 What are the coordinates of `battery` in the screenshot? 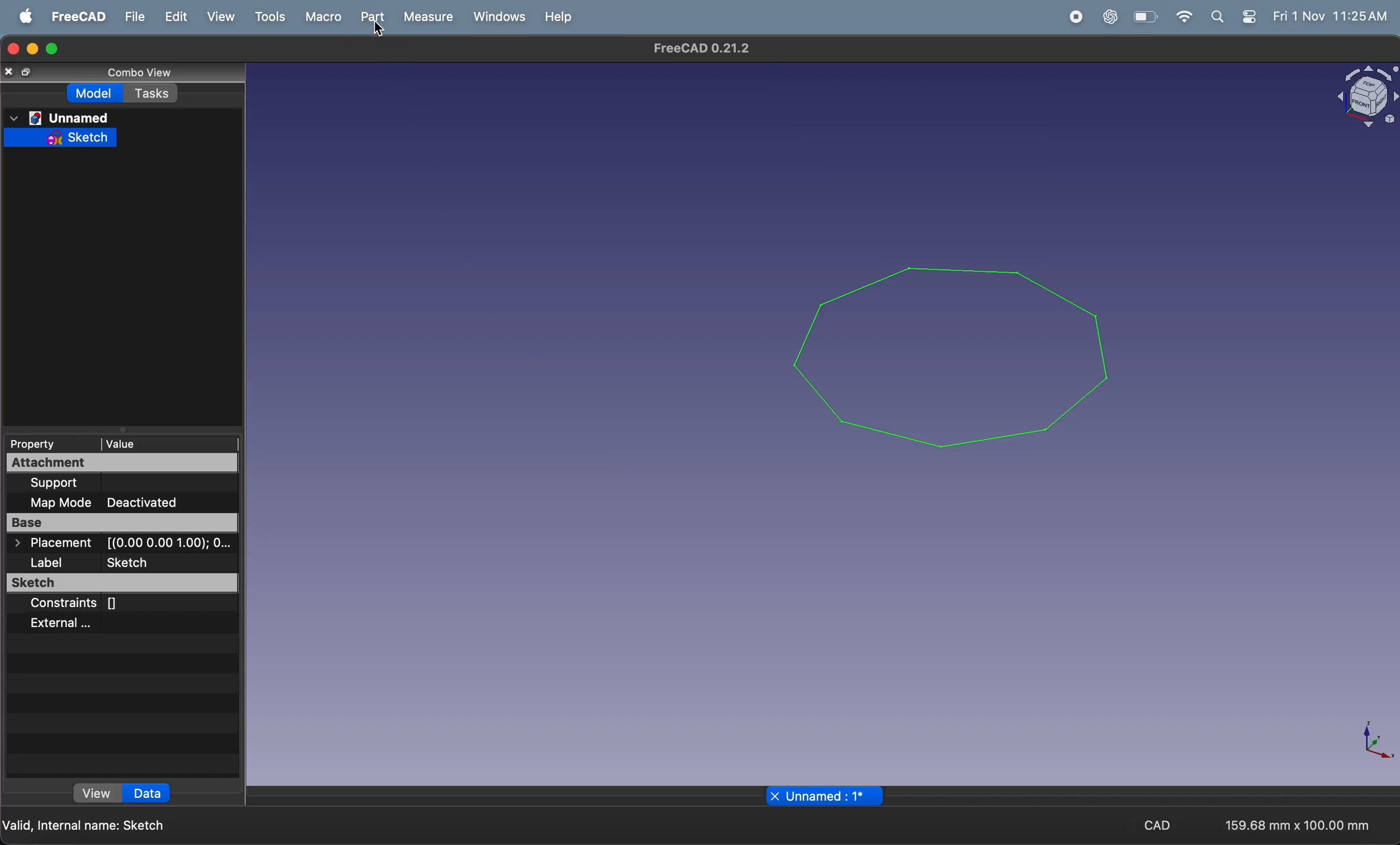 It's located at (1145, 16).